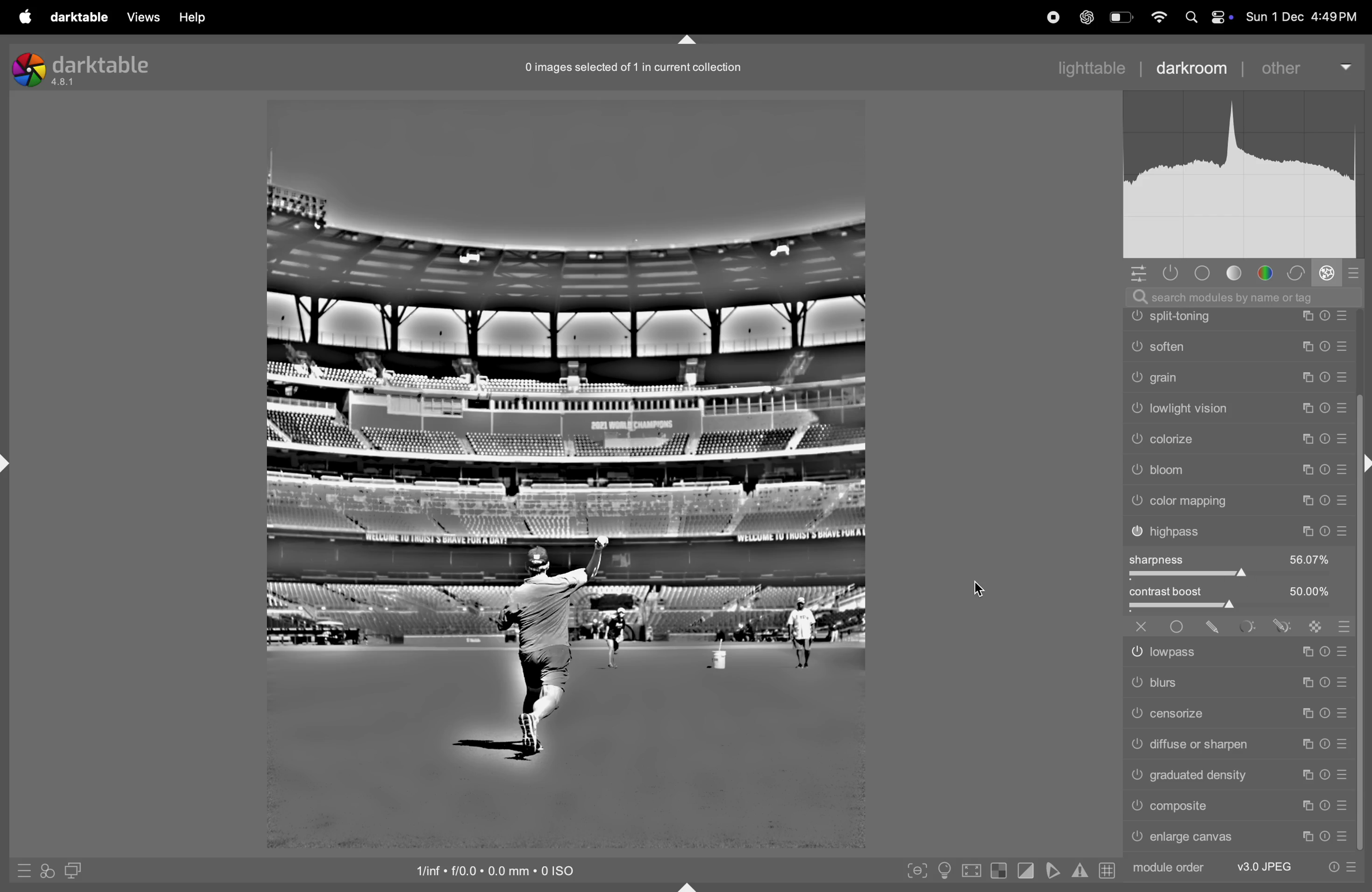  I want to click on cahtgpt, so click(1085, 17).